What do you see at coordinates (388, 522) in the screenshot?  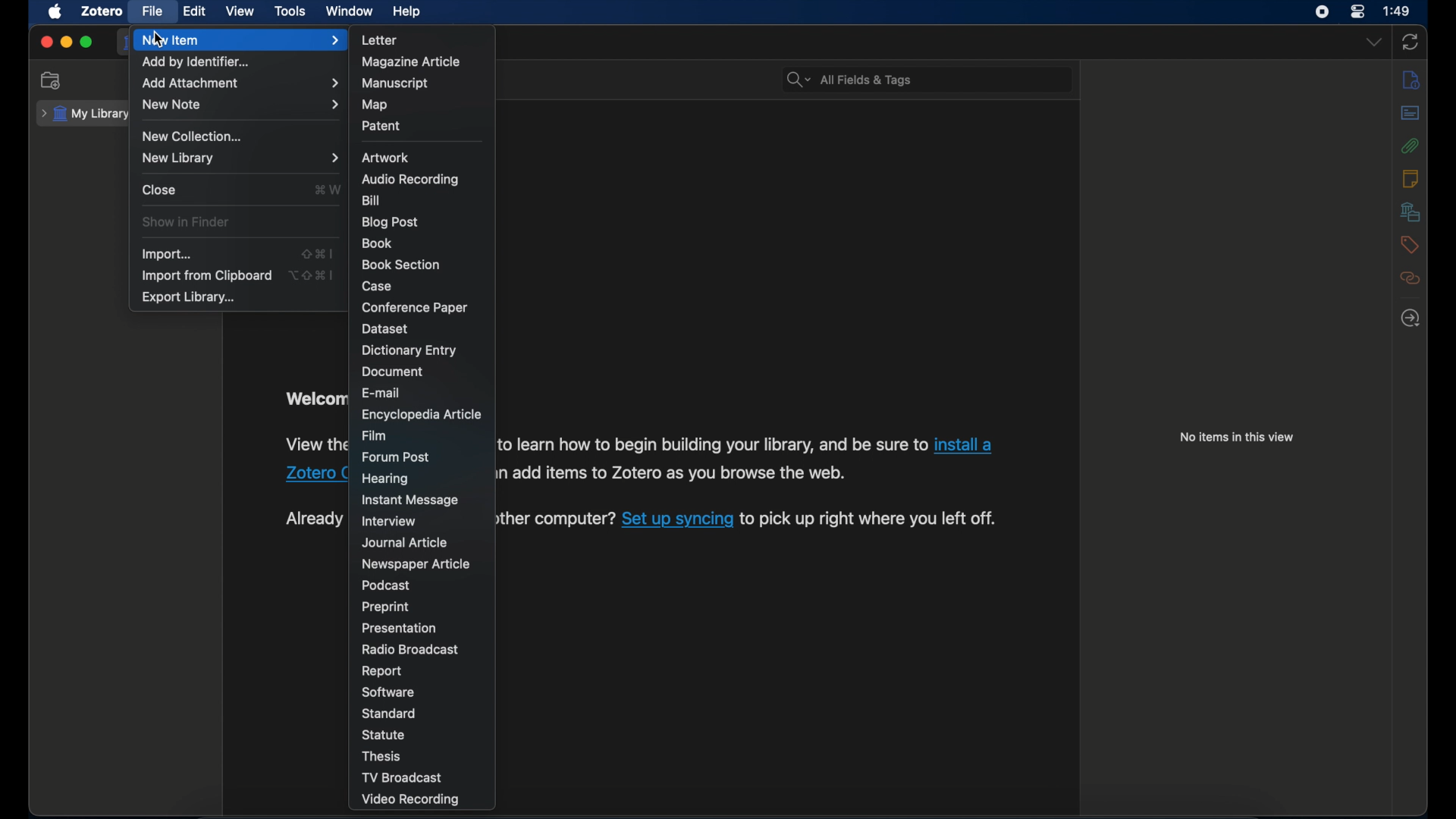 I see `interview` at bounding box center [388, 522].